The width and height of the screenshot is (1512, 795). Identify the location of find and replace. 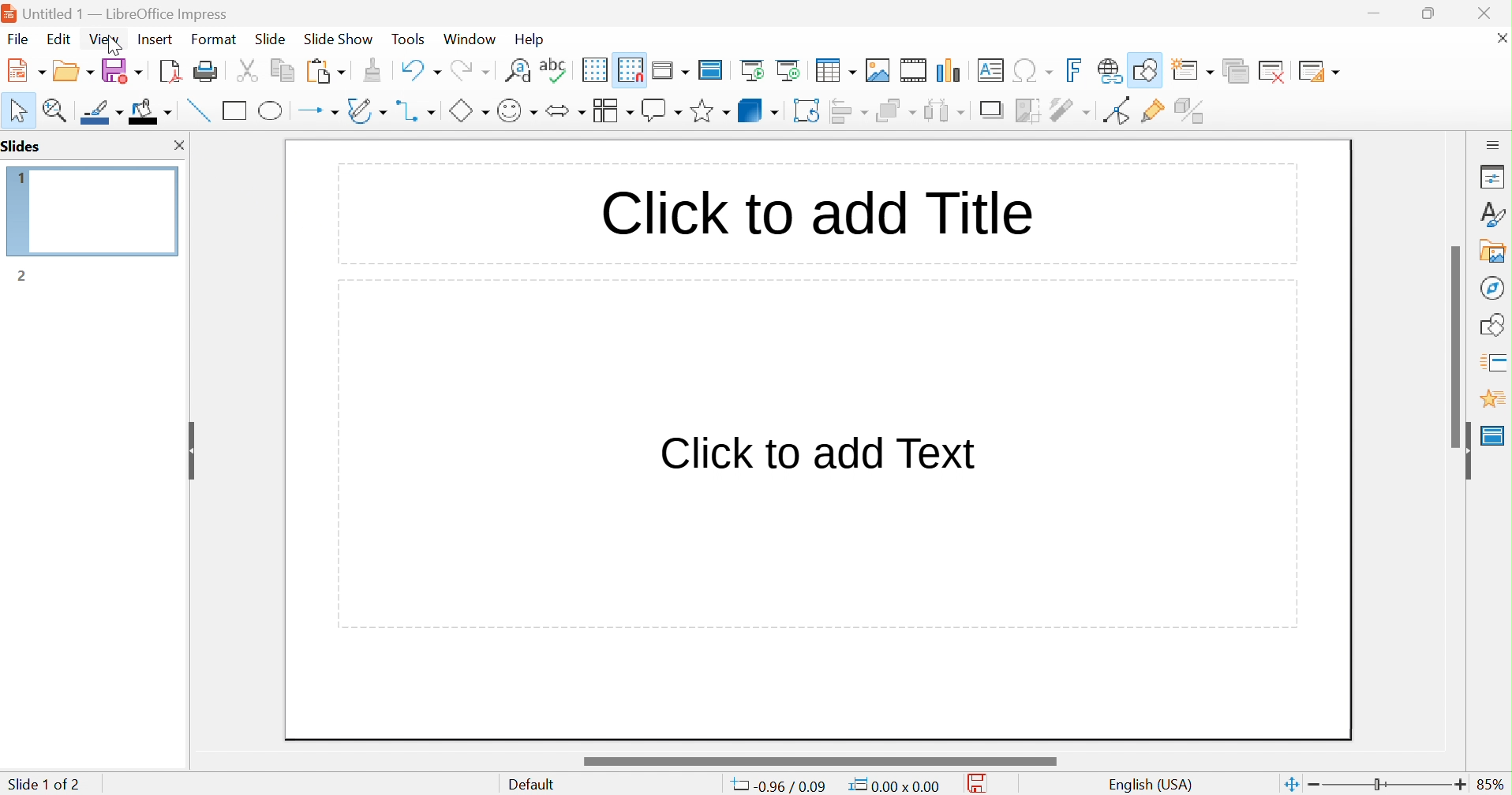
(518, 69).